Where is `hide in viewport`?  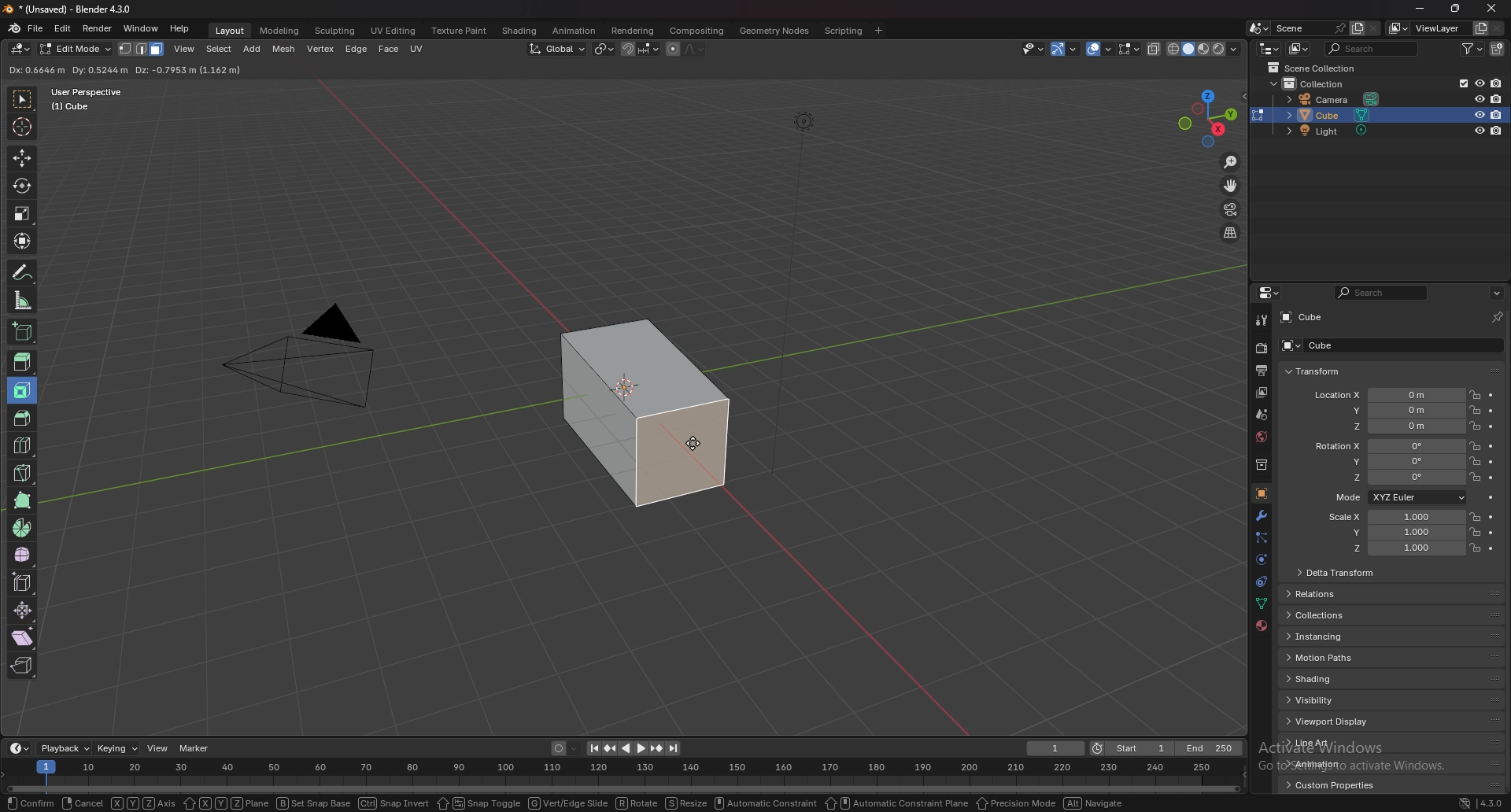
hide in viewport is located at coordinates (1480, 114).